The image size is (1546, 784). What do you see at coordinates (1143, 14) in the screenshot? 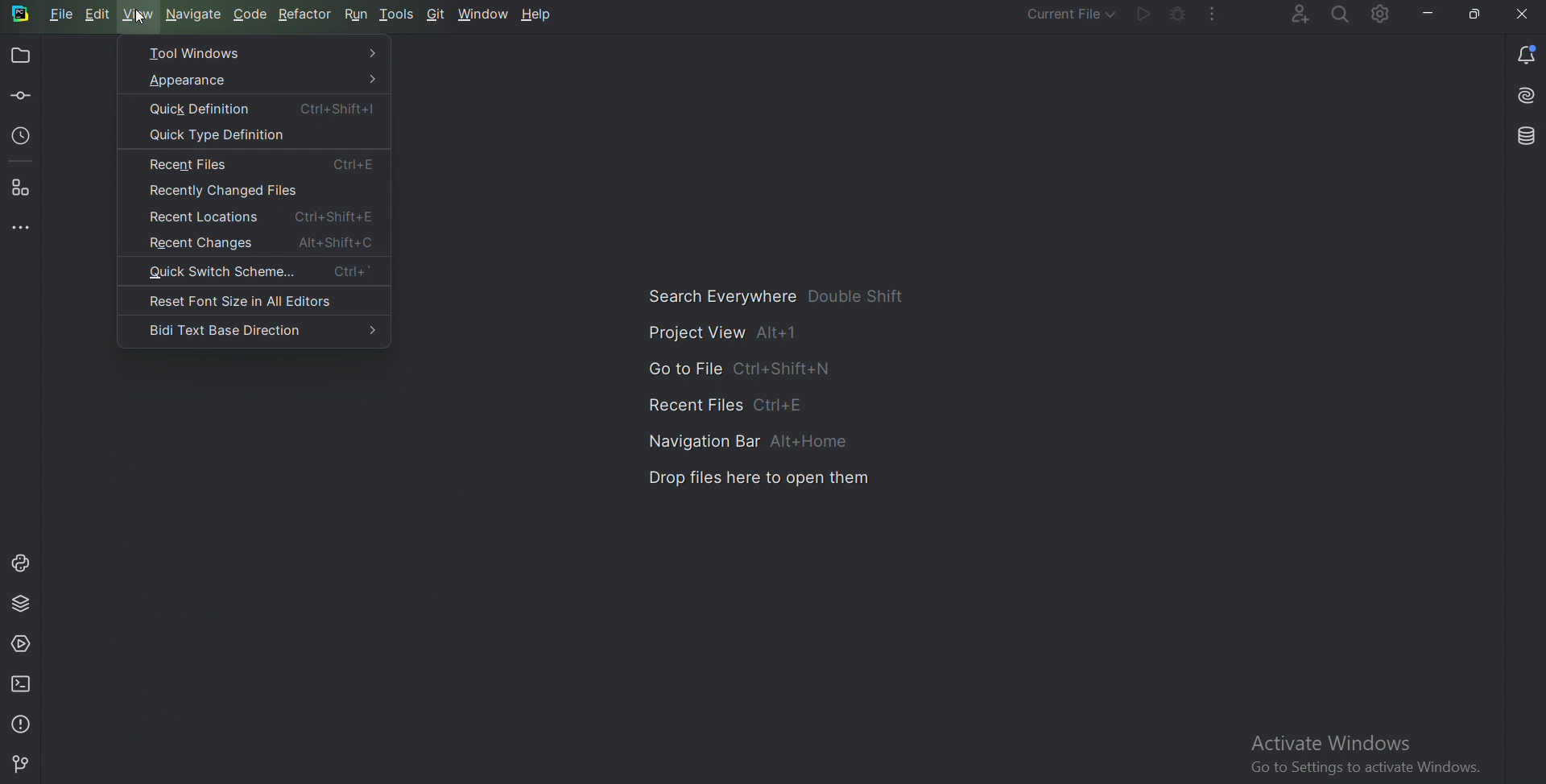
I see `Run ` at bounding box center [1143, 14].